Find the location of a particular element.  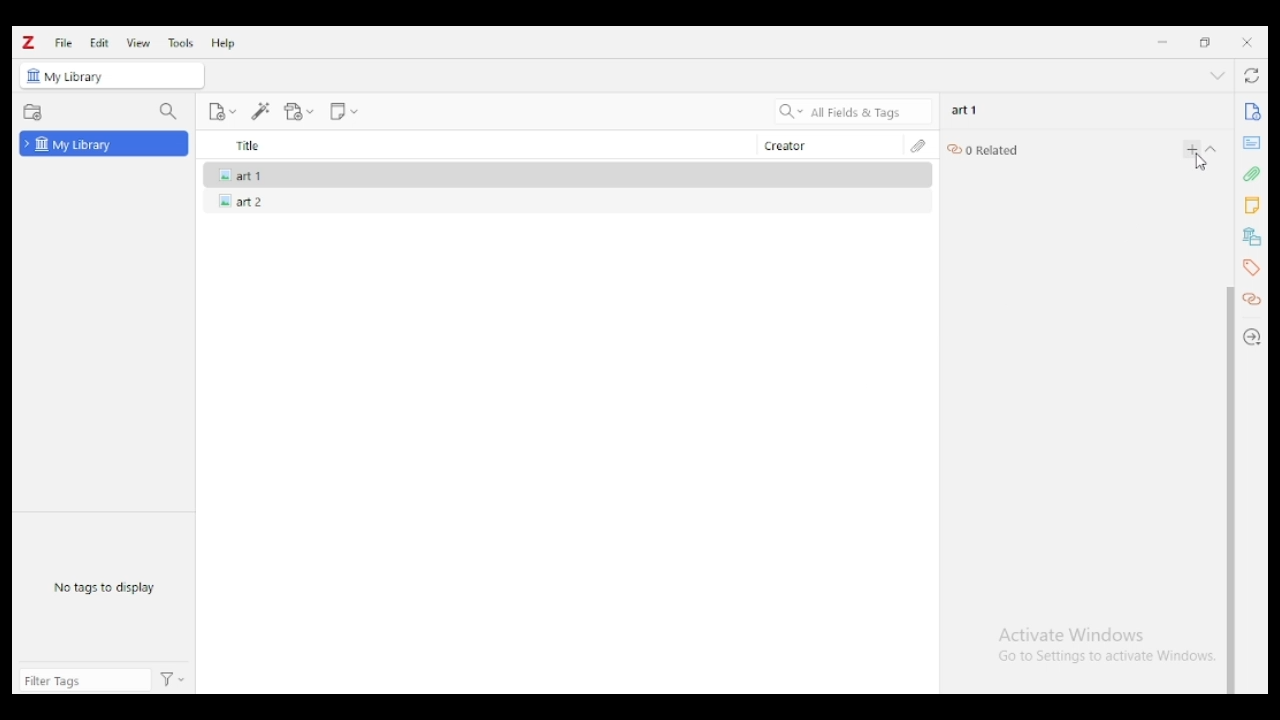

abstract is located at coordinates (1251, 143).